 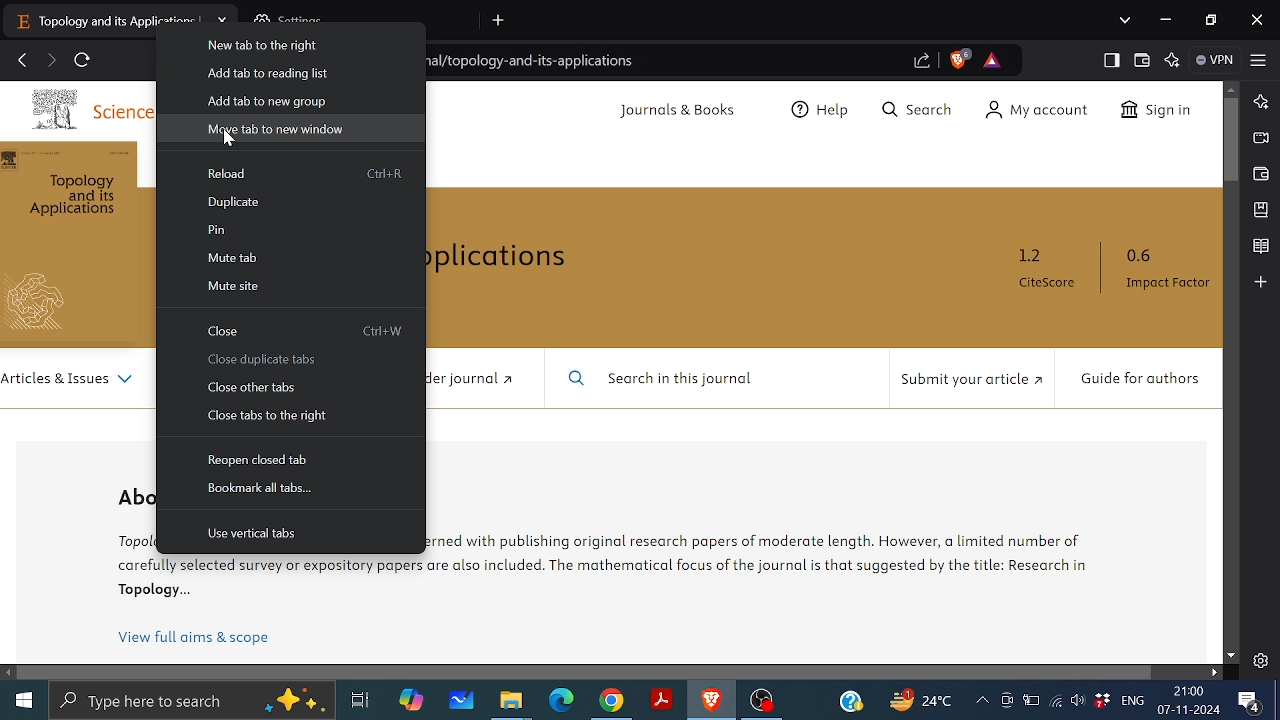 I want to click on , so click(x=1032, y=702).